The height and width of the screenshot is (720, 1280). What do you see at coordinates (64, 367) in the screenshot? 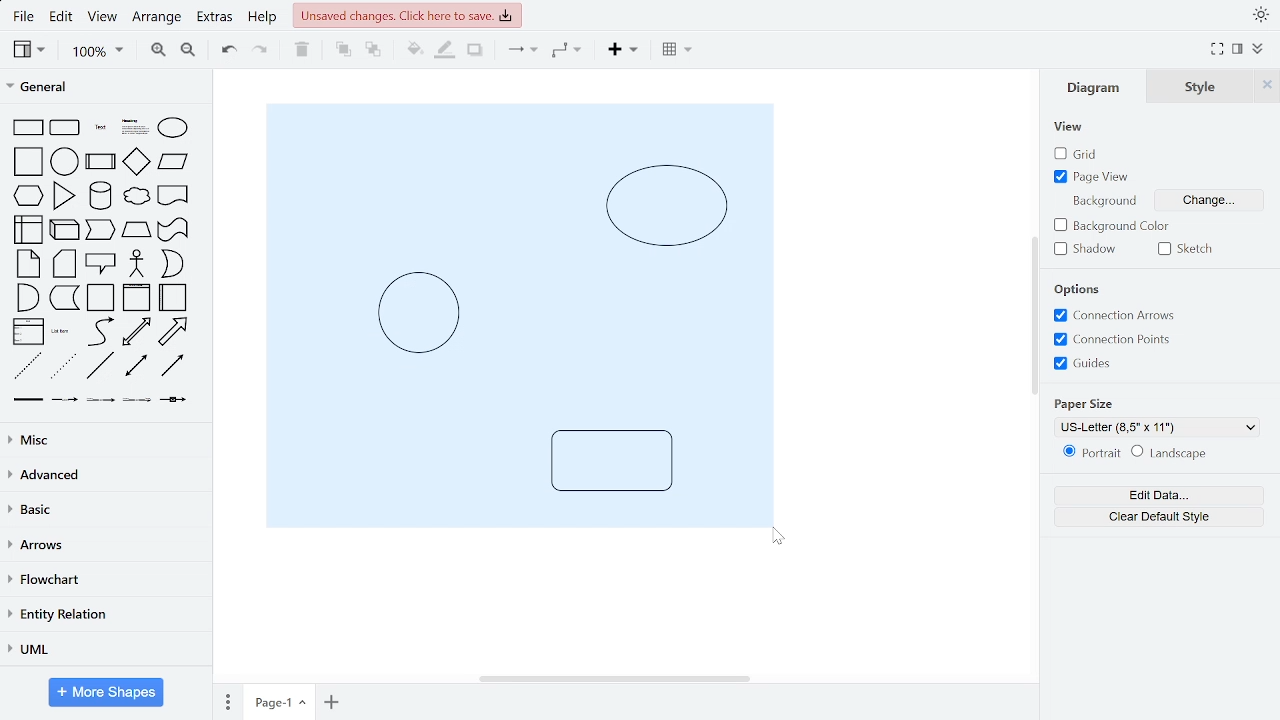
I see `dotted line` at bounding box center [64, 367].